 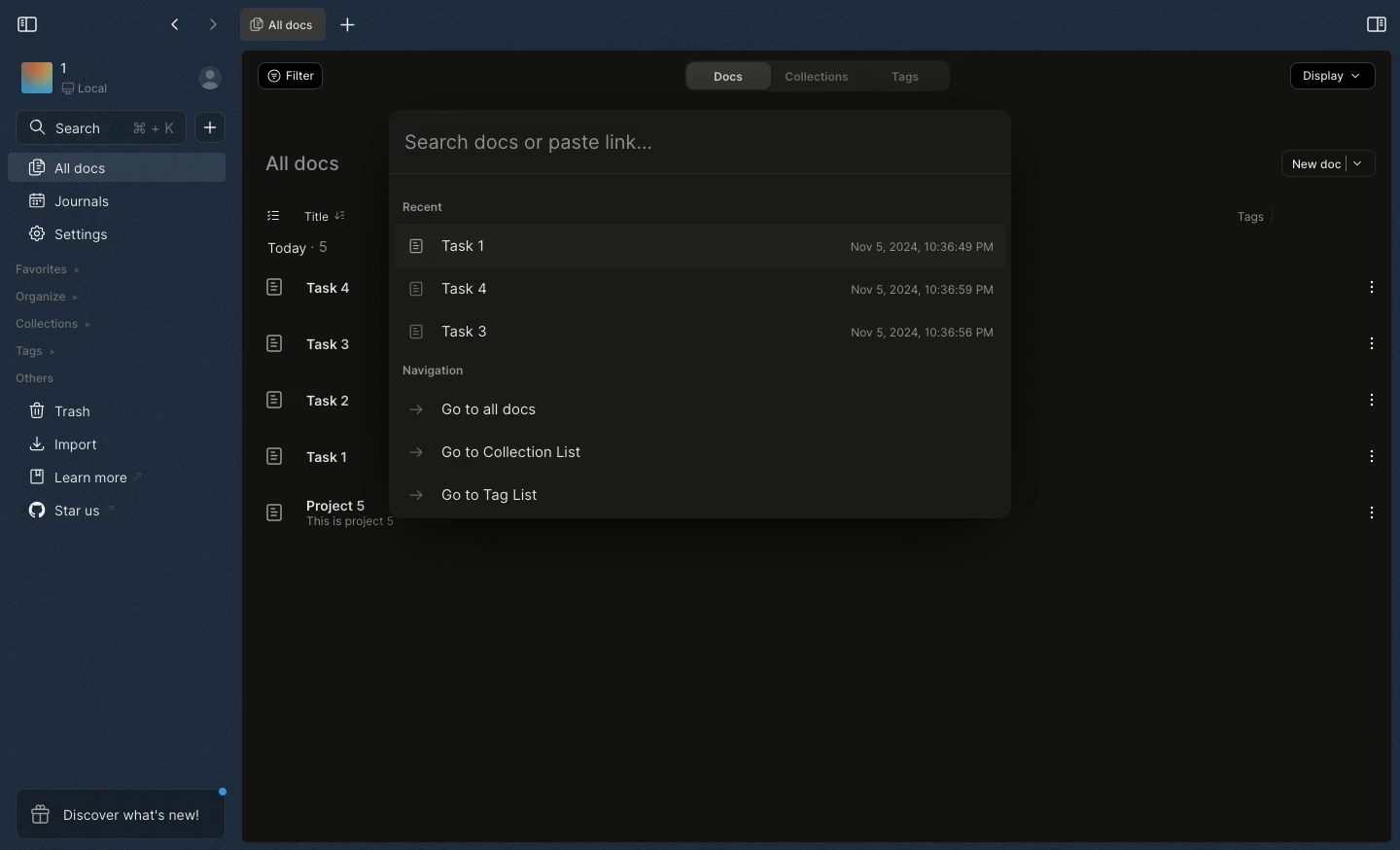 I want to click on New doc, so click(x=1325, y=164).